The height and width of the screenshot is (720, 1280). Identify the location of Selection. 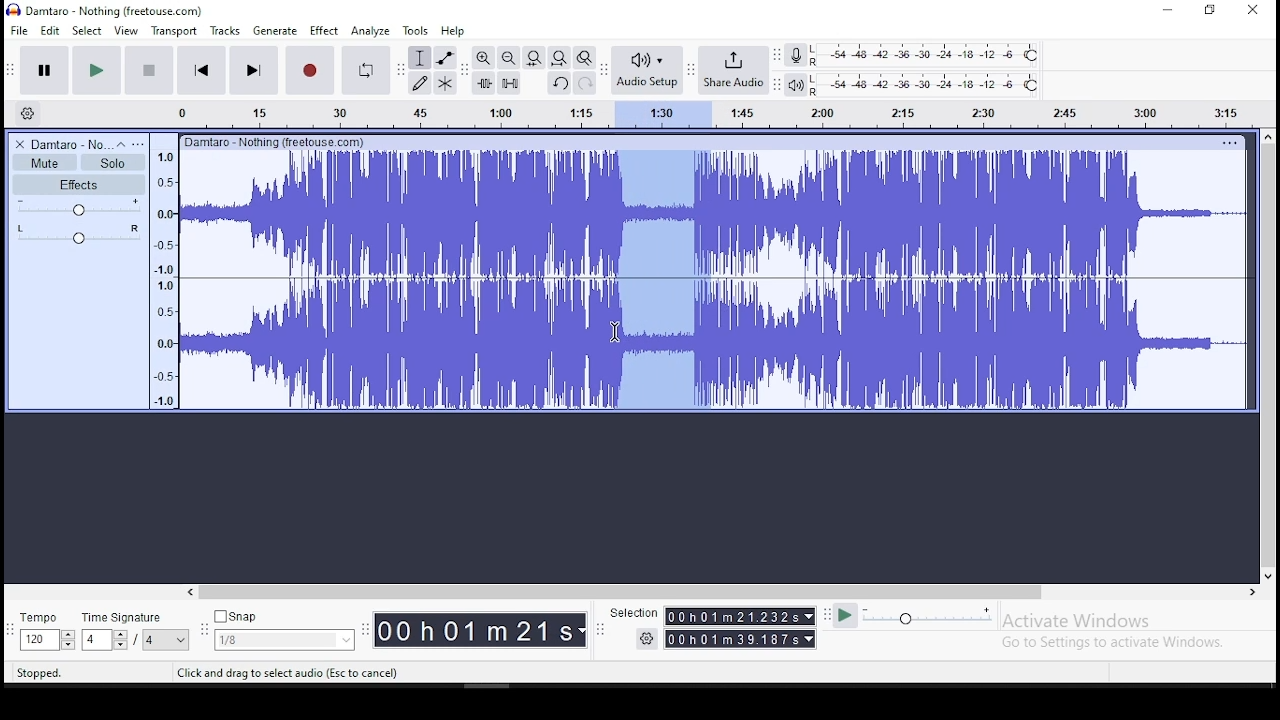
(632, 613).